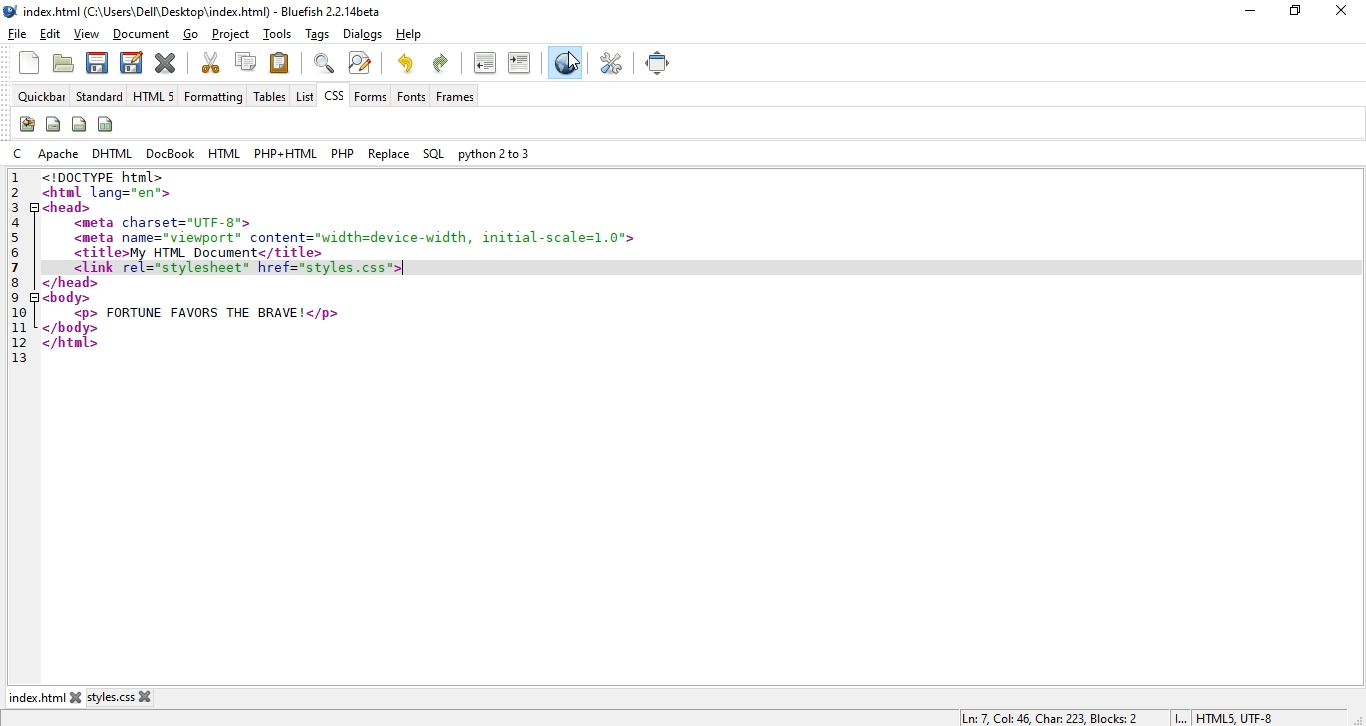 The width and height of the screenshot is (1366, 726). I want to click on sql, so click(433, 155).